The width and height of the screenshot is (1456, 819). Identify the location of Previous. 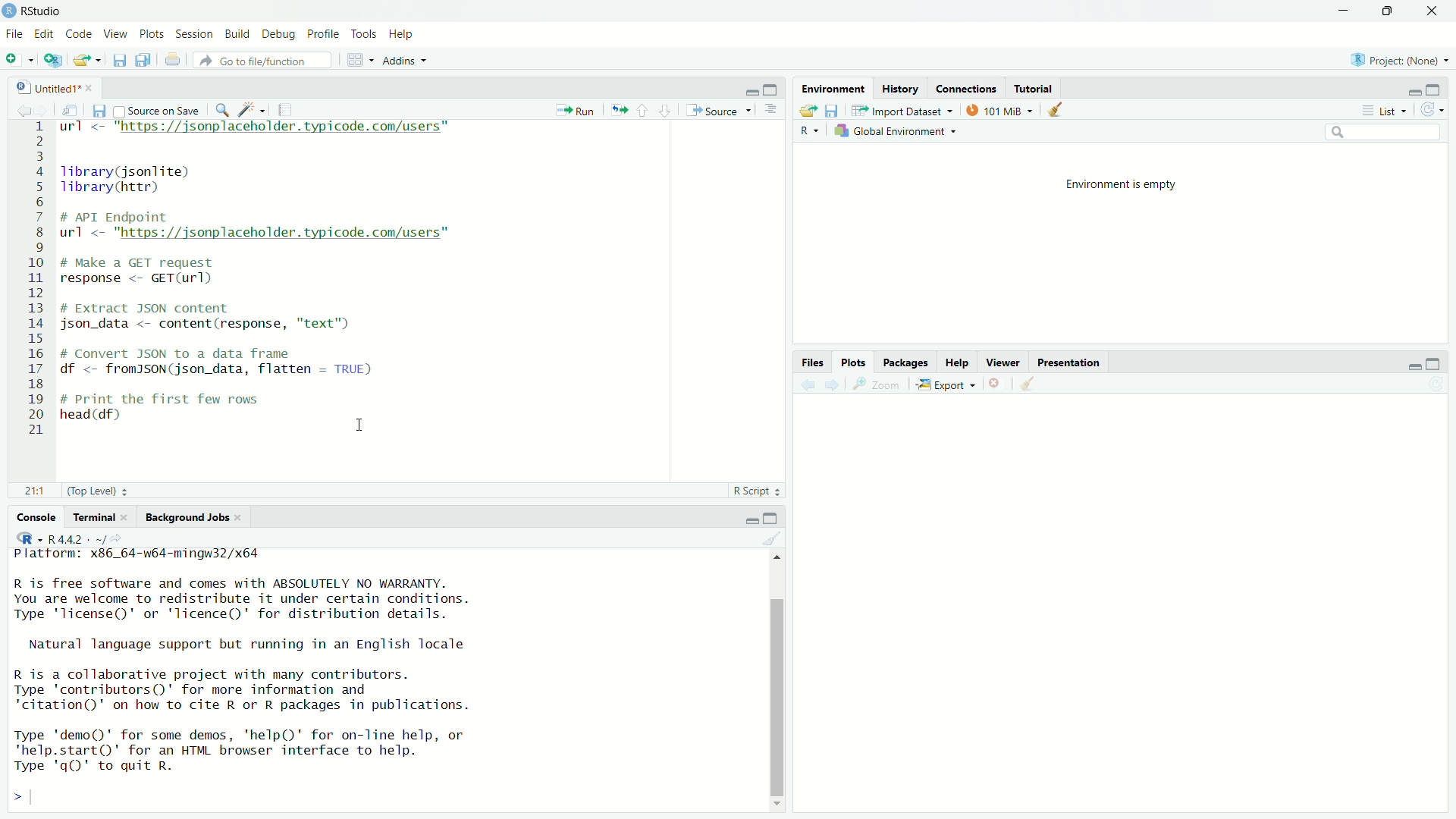
(21, 112).